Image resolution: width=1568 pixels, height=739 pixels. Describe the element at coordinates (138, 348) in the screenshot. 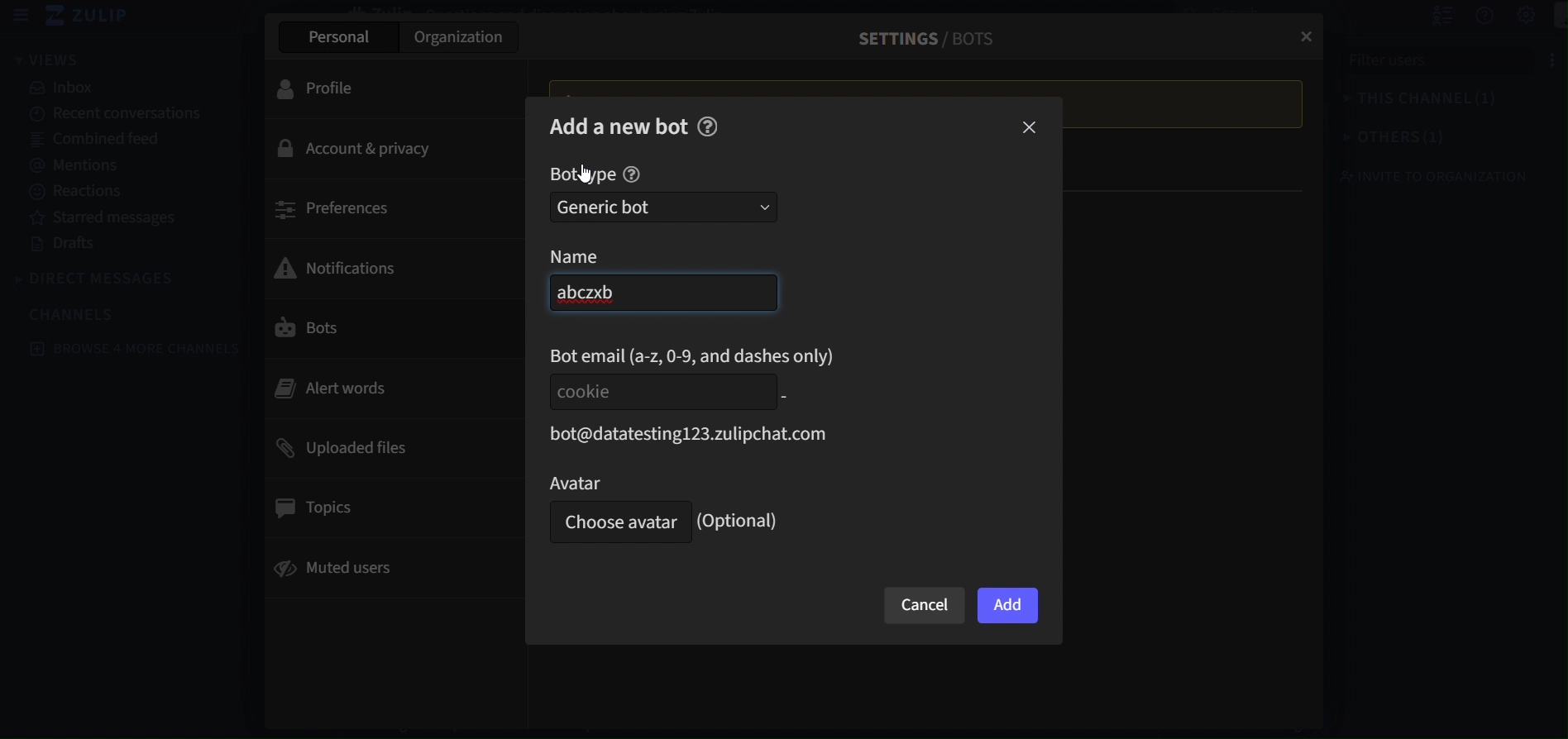

I see `browse 4 more channels` at that location.